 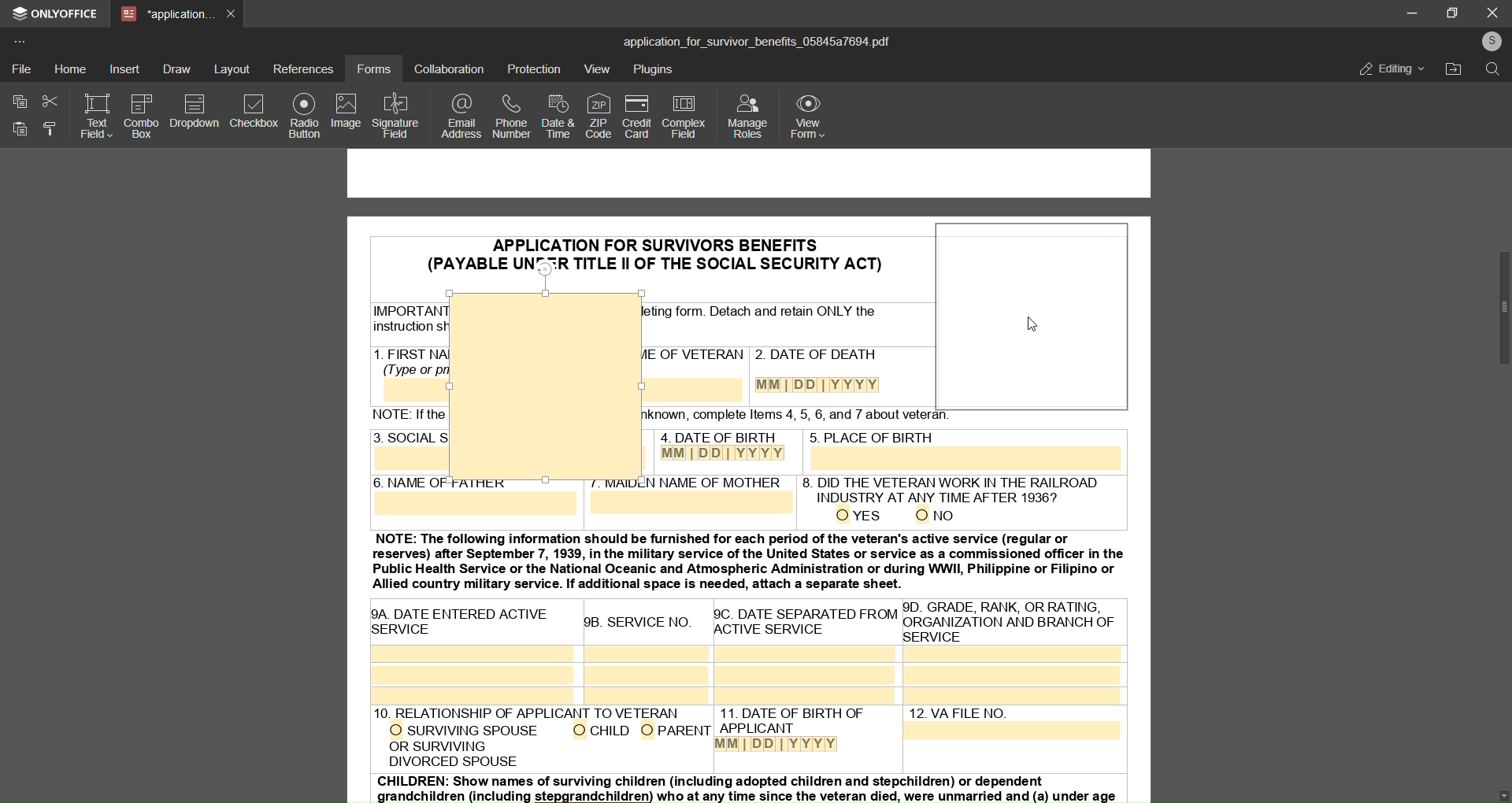 I want to click on cursor, so click(x=1037, y=330).